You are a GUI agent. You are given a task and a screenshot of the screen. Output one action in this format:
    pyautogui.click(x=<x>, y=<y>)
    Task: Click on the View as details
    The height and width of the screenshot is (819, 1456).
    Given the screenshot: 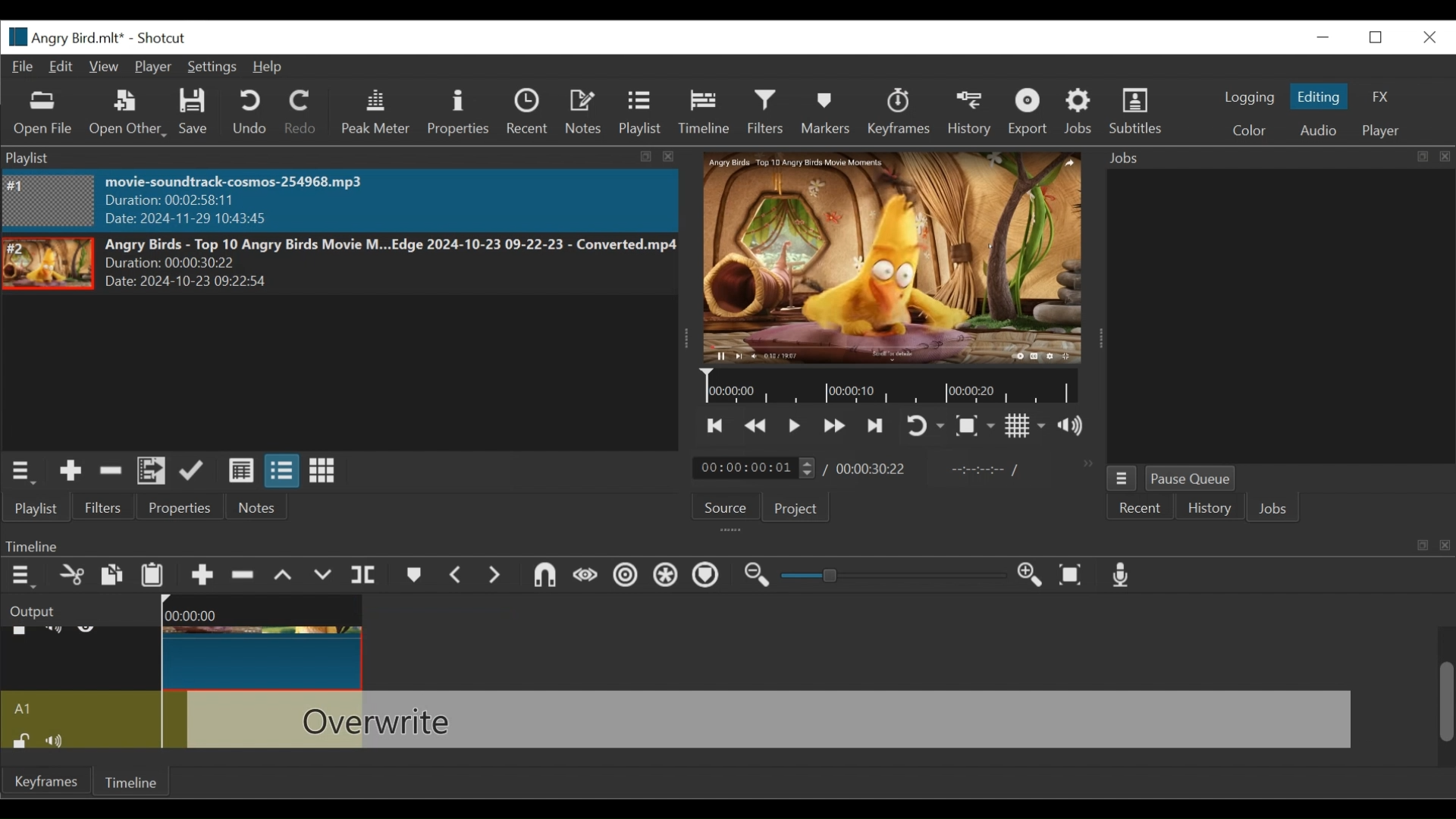 What is the action you would take?
    pyautogui.click(x=240, y=472)
    